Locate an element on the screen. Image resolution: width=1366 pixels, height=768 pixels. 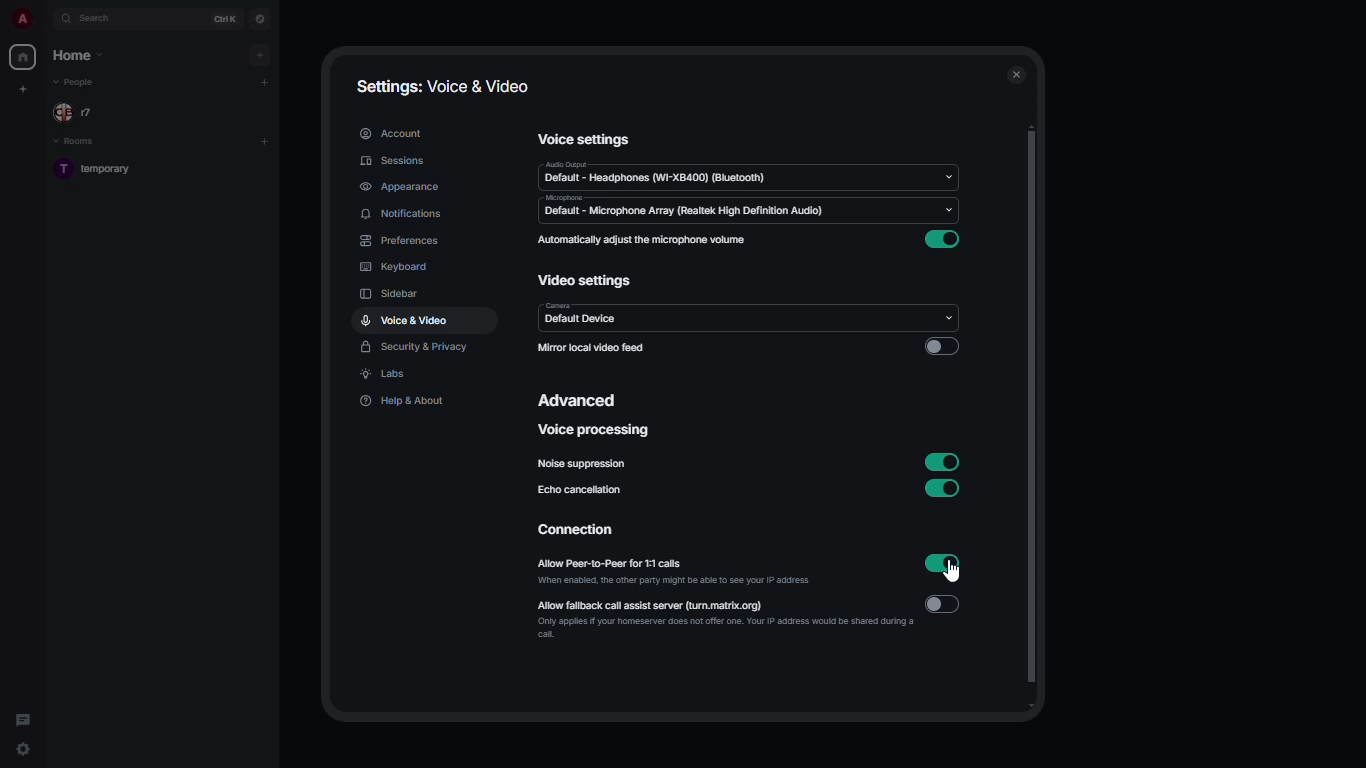
drop down is located at coordinates (952, 213).